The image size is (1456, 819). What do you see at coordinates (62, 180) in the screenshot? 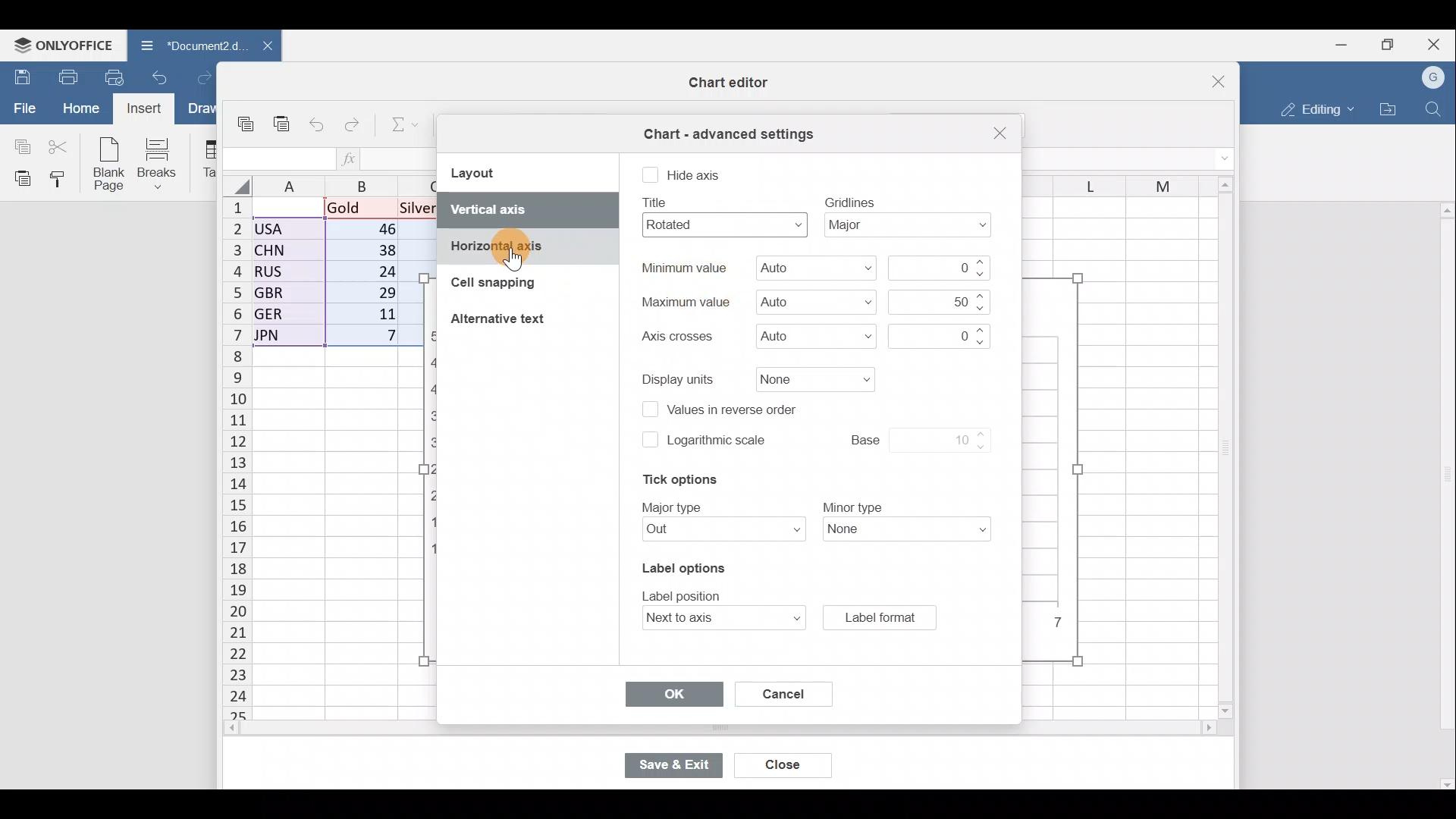
I see `Copy style` at bounding box center [62, 180].